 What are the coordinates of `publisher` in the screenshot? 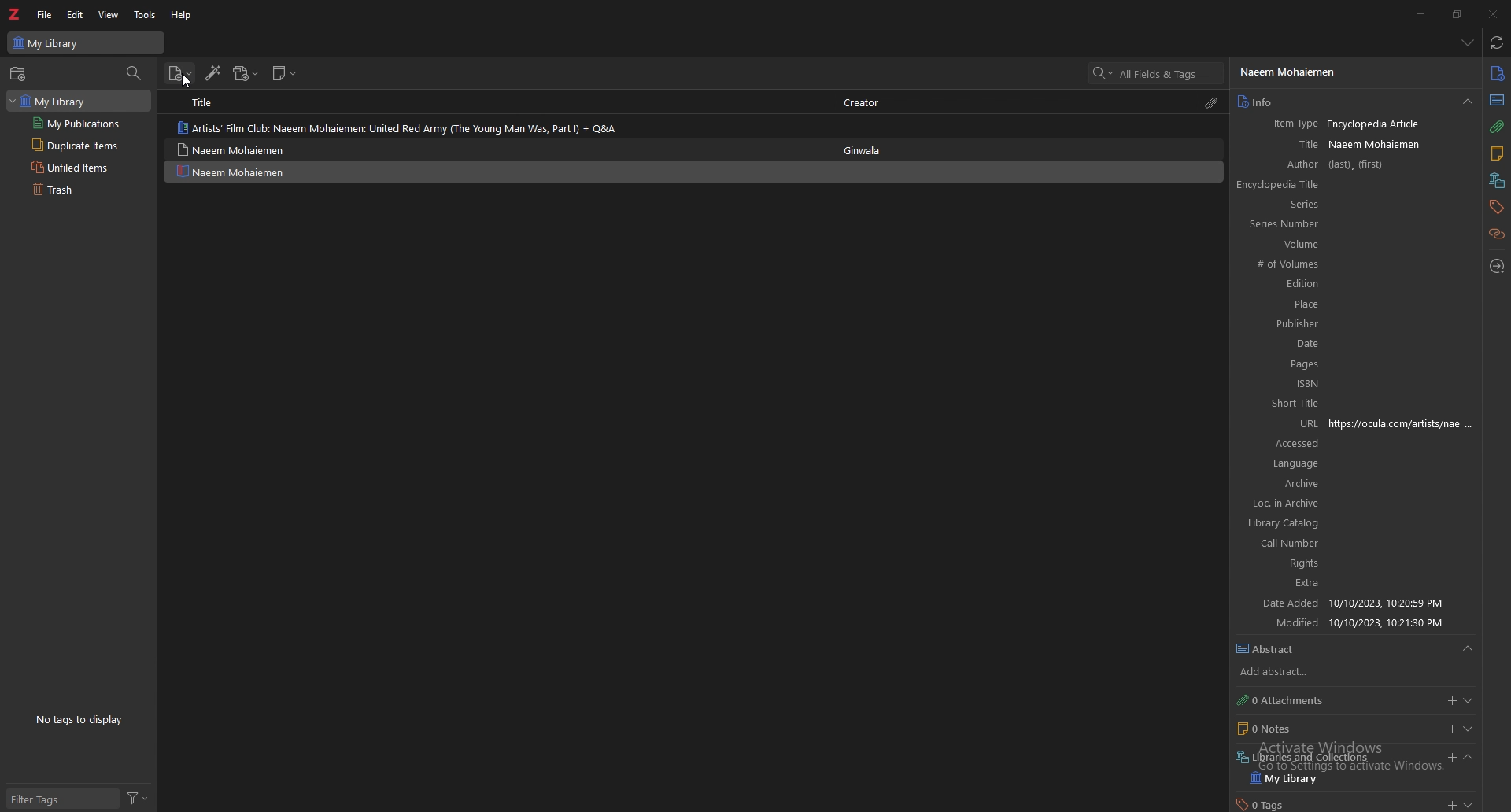 It's located at (1277, 325).